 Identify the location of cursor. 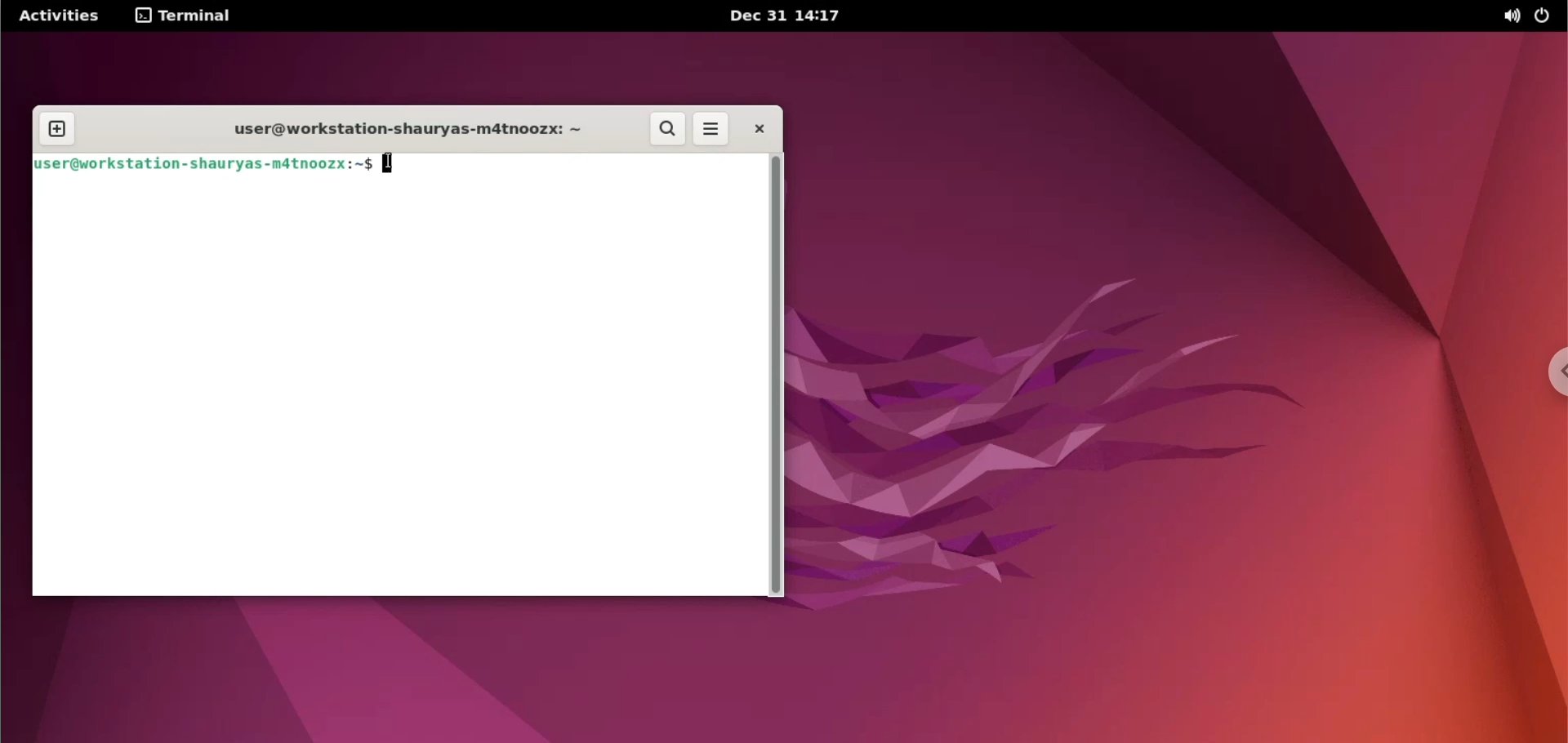
(391, 165).